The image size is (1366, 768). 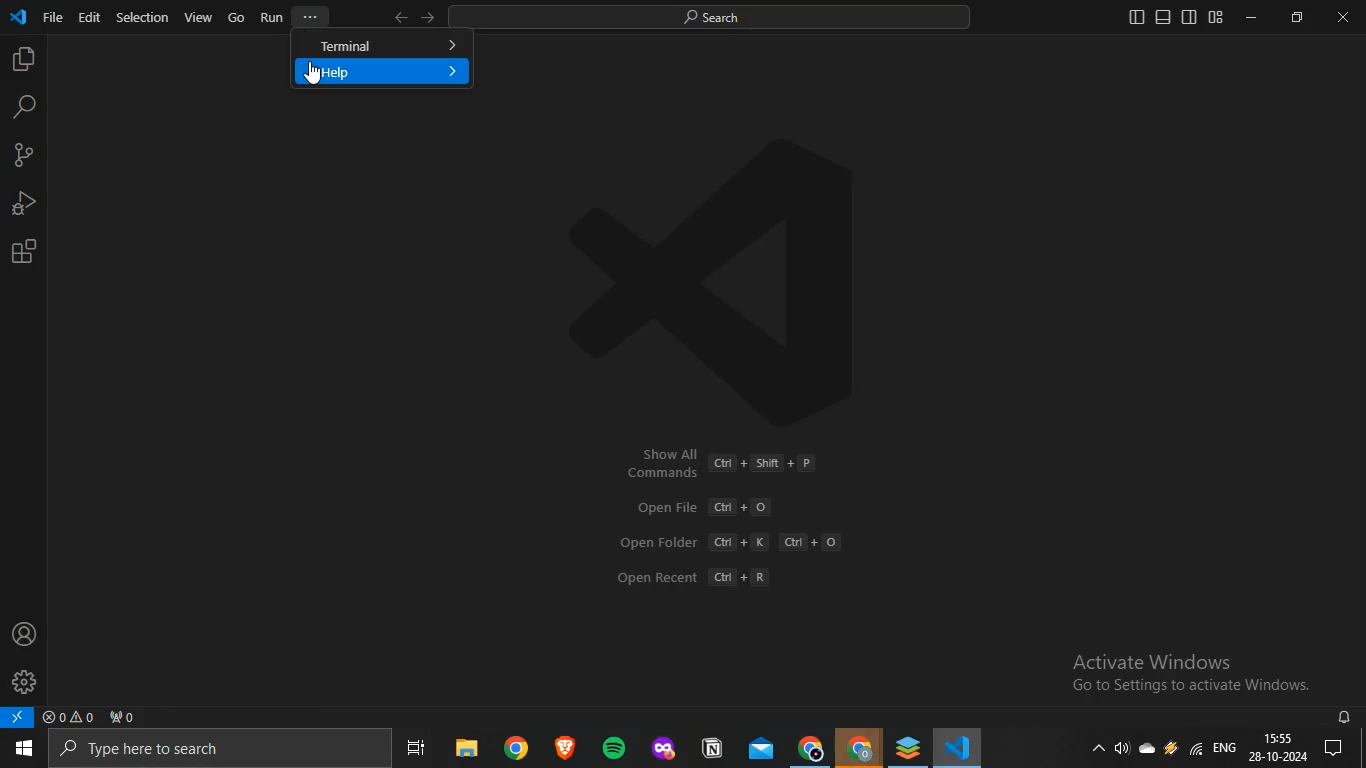 I want to click on mozilla firefox, so click(x=662, y=749).